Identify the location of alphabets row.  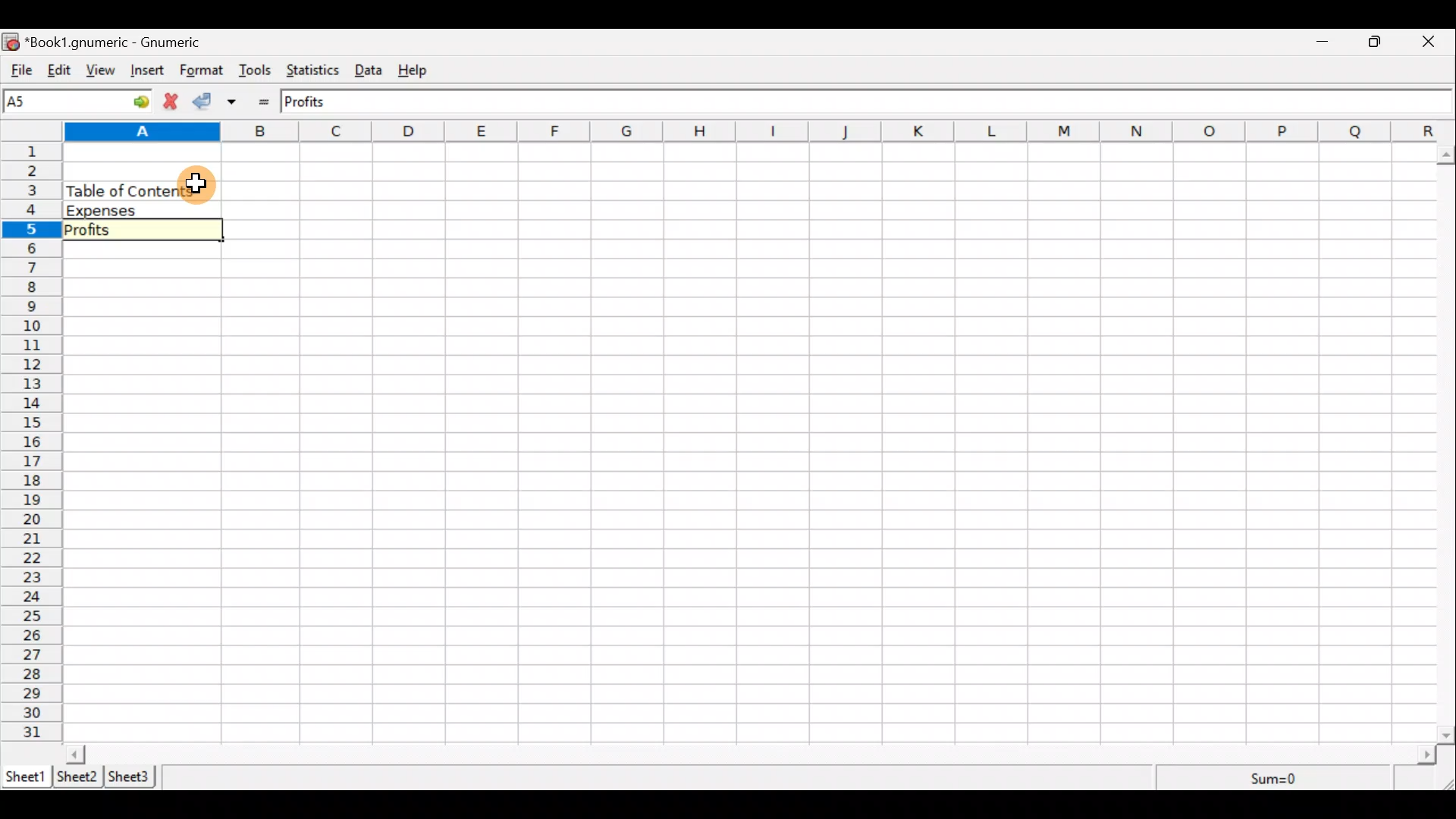
(737, 134).